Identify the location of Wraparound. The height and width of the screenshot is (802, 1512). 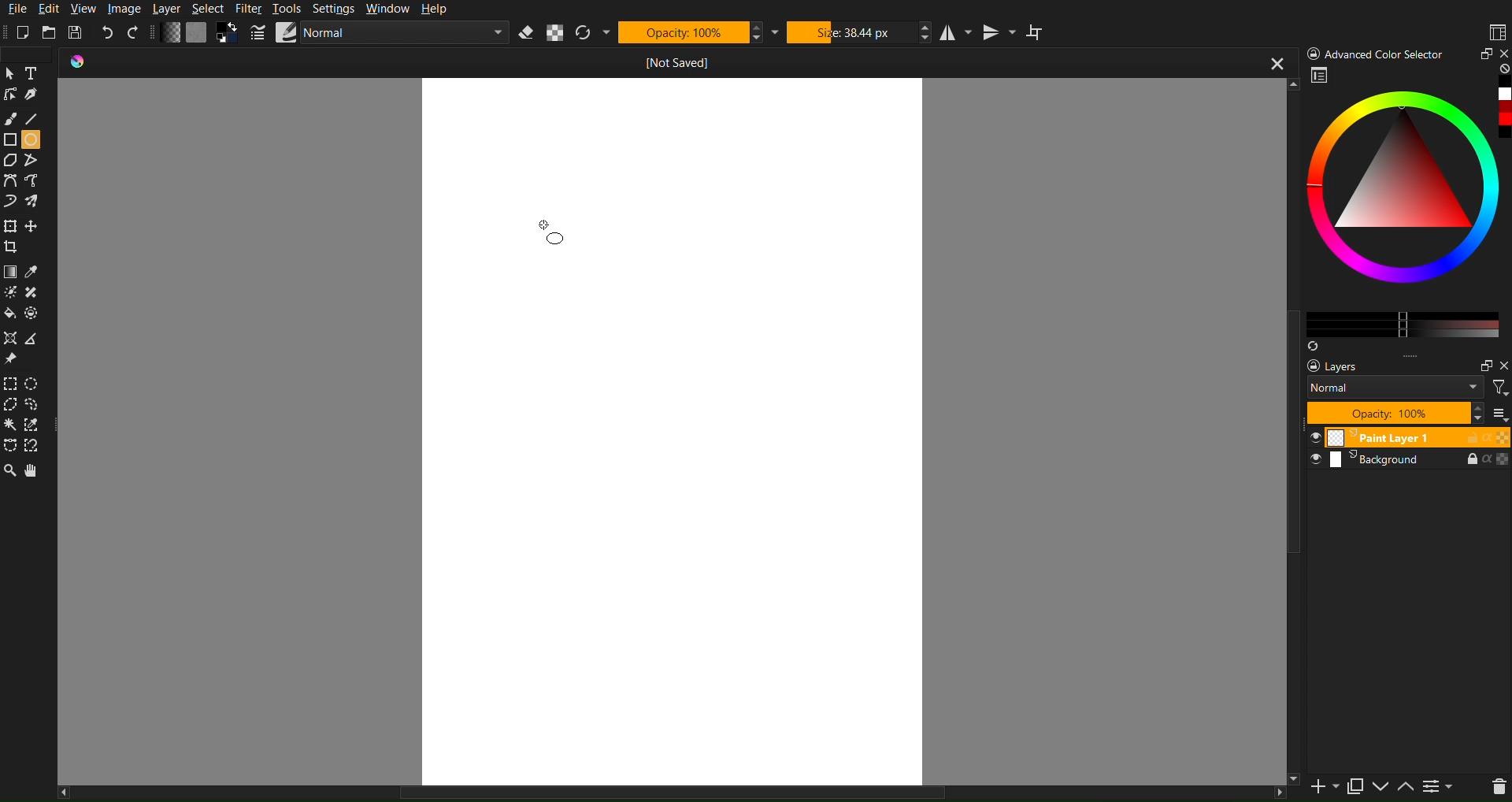
(1041, 31).